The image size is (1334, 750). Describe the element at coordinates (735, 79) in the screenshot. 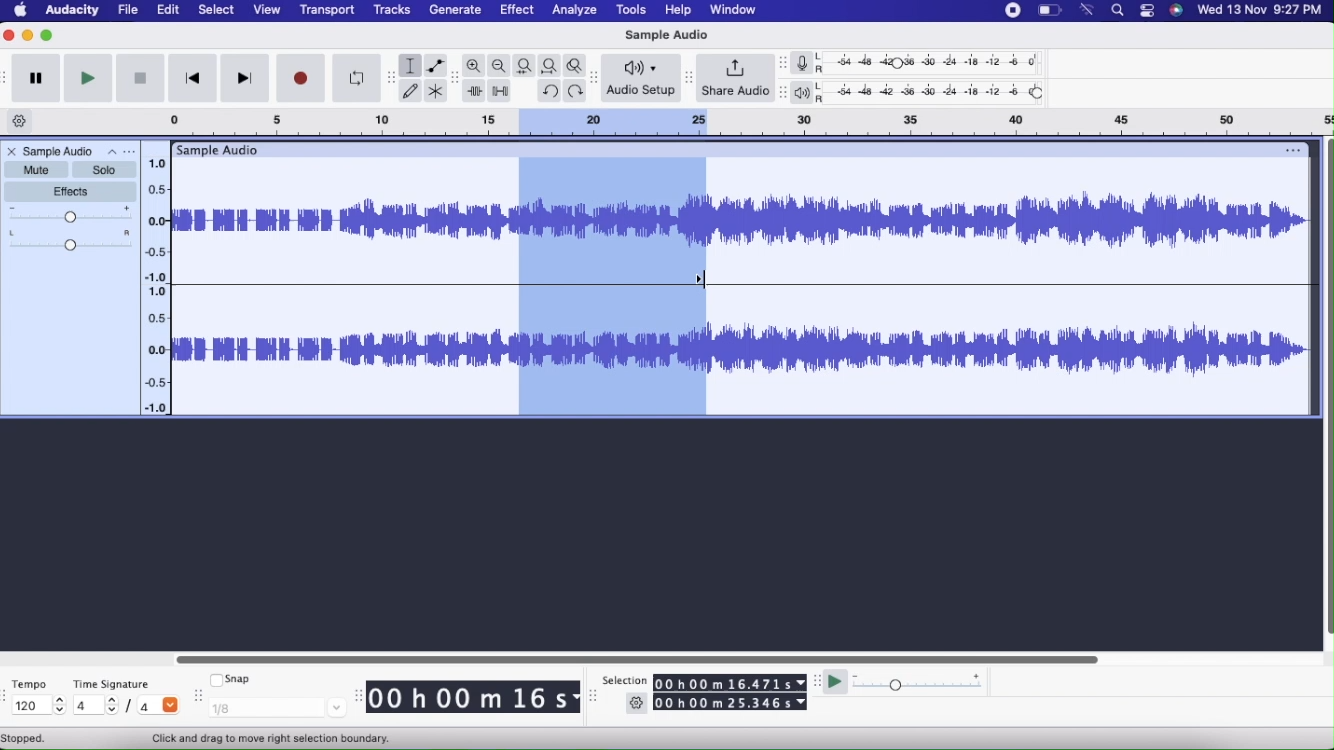

I see `Share Audio` at that location.